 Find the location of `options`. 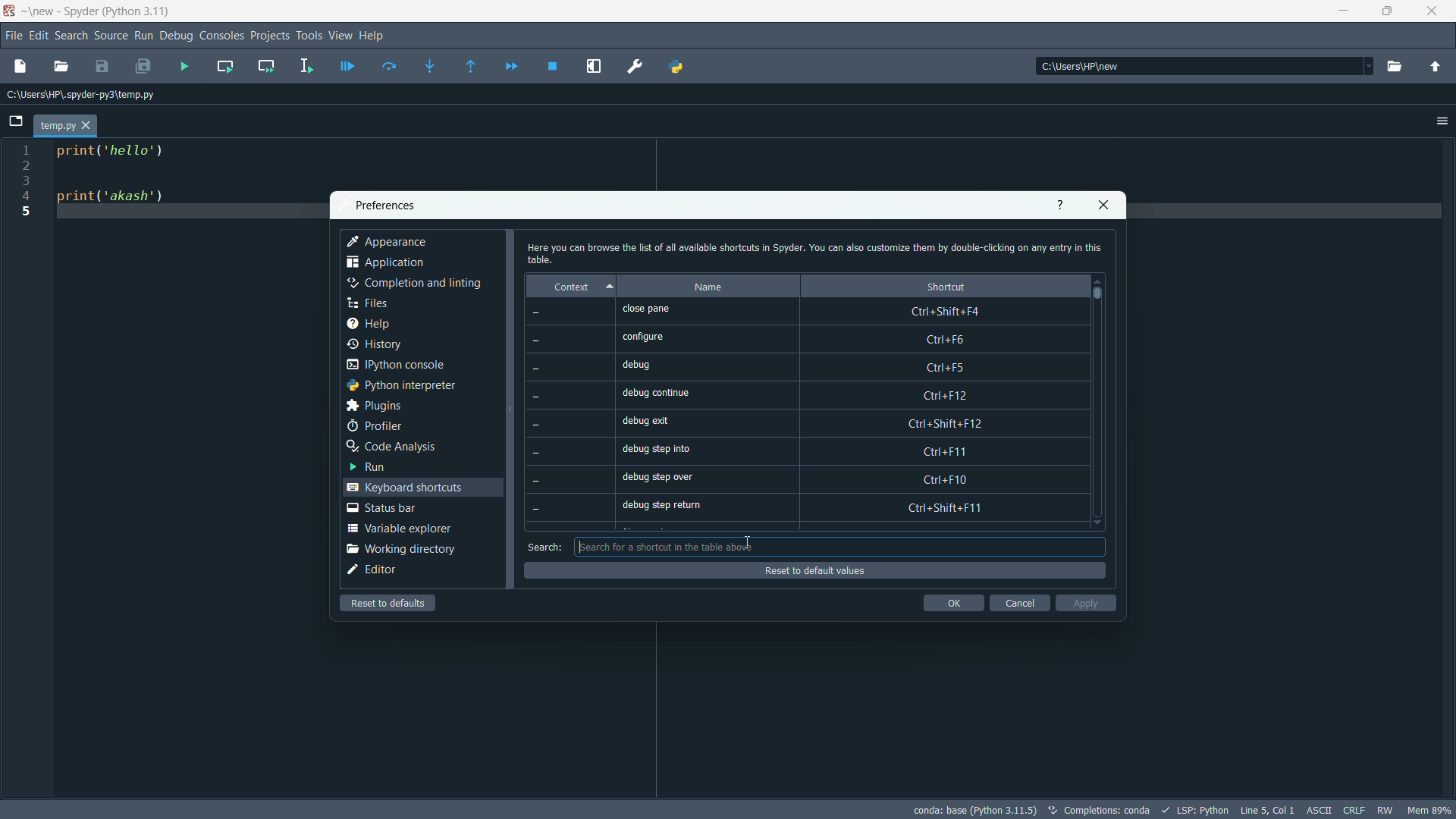

options is located at coordinates (1437, 119).